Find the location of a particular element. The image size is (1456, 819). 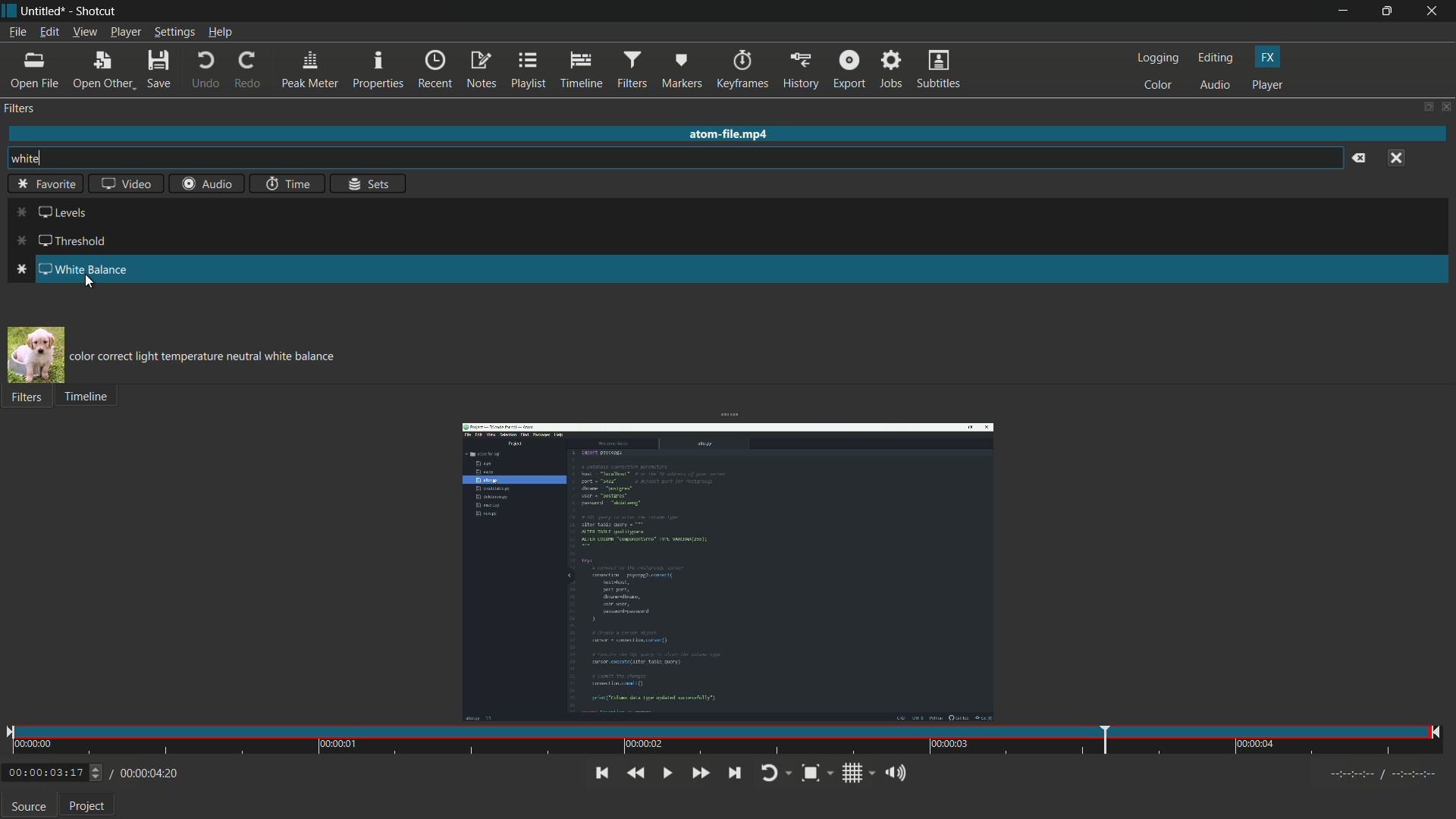

audio is located at coordinates (1214, 86).